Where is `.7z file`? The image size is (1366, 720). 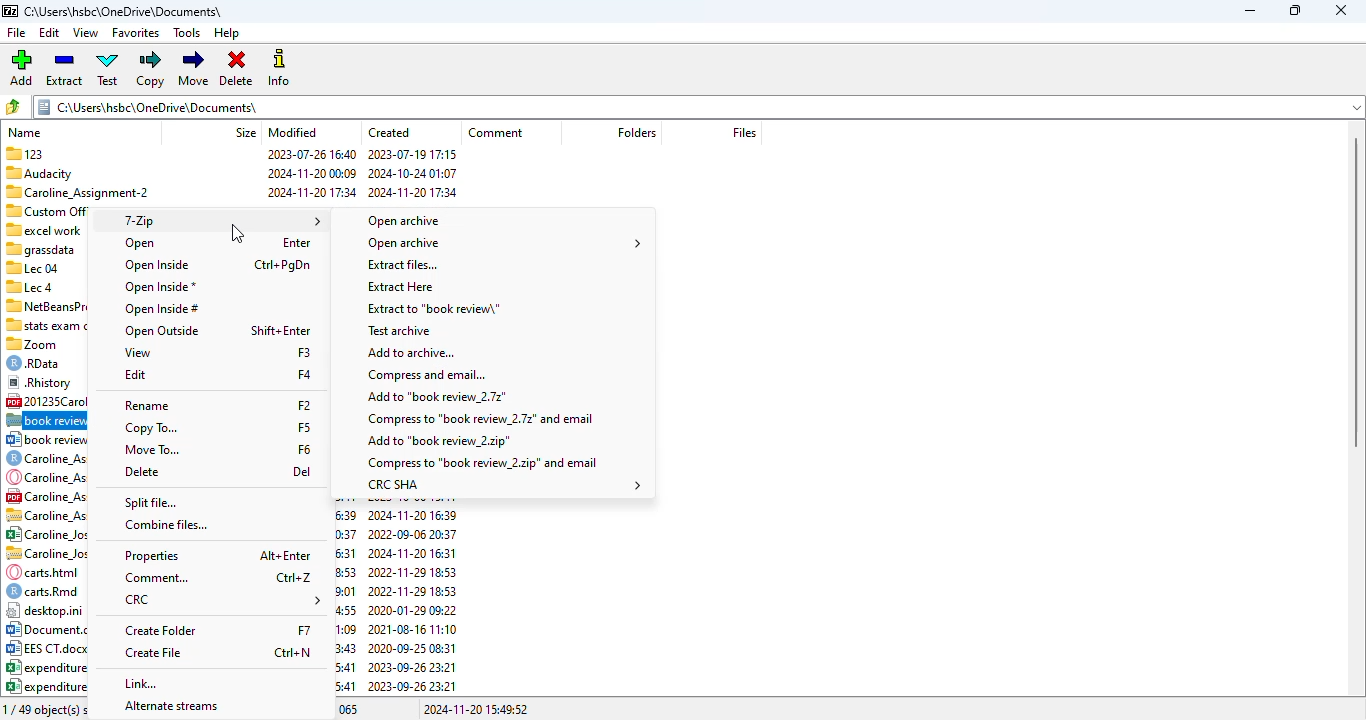
.7z file is located at coordinates (45, 421).